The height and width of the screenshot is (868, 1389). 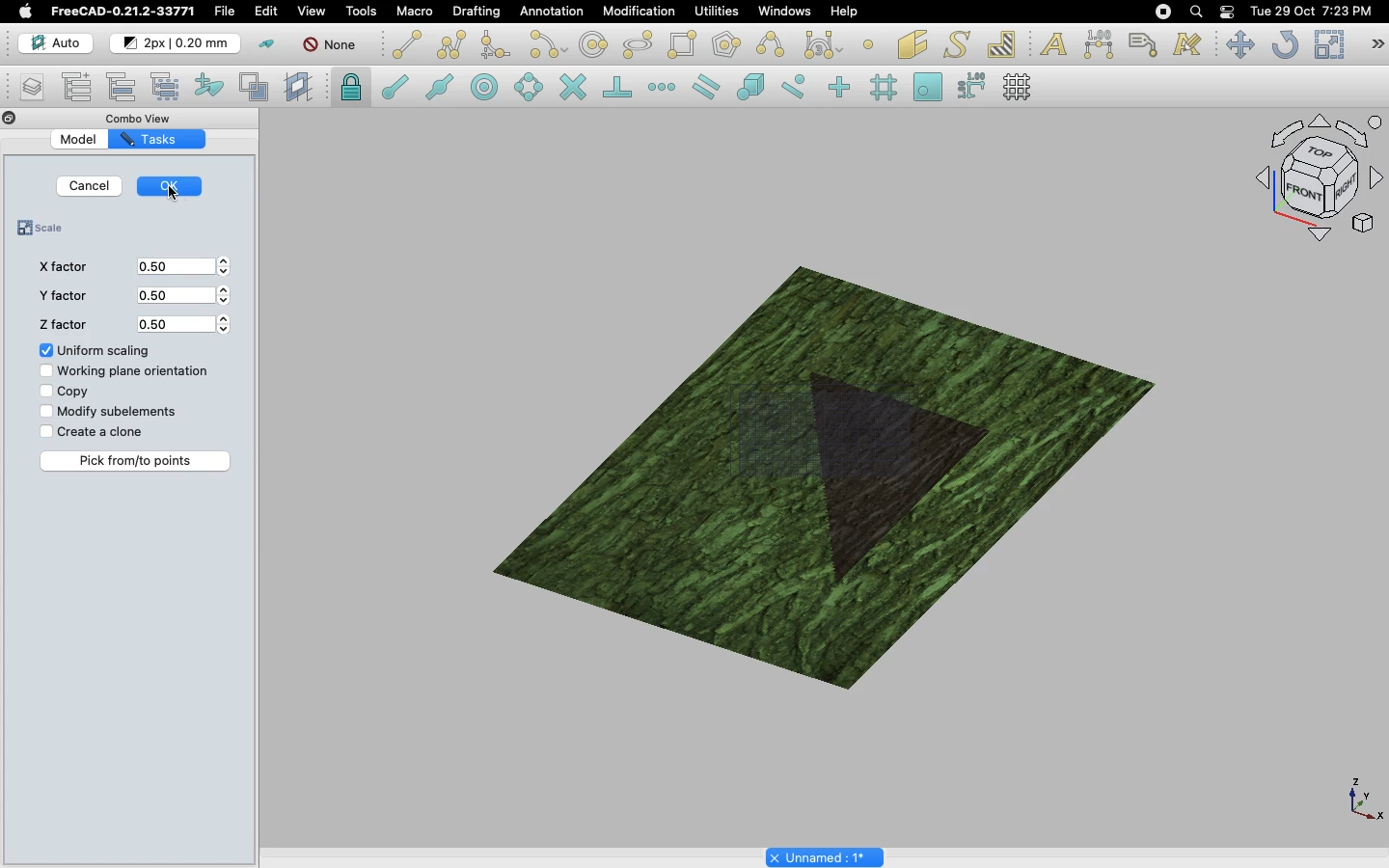 What do you see at coordinates (61, 299) in the screenshot?
I see `Y factor` at bounding box center [61, 299].